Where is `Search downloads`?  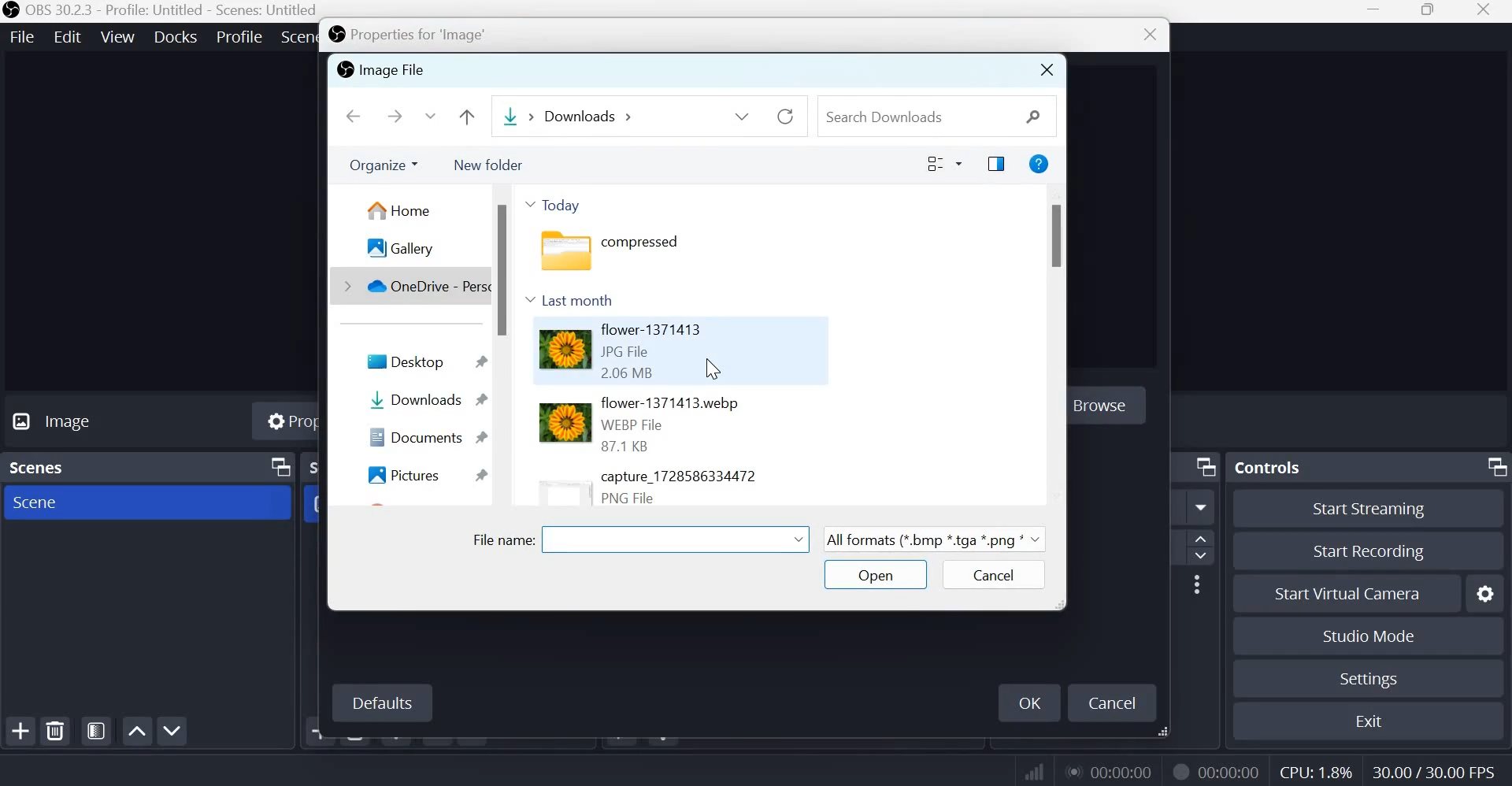
Search downloads is located at coordinates (930, 114).